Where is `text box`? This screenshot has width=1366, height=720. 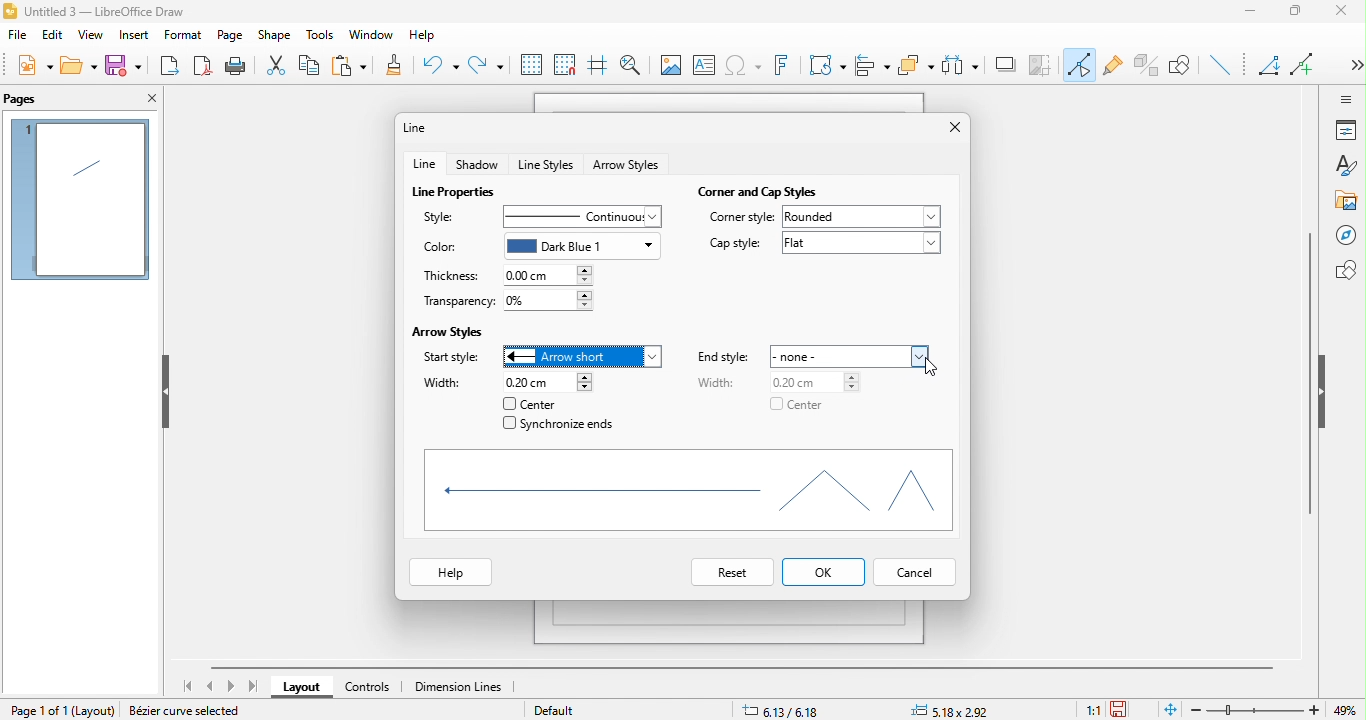 text box is located at coordinates (705, 68).